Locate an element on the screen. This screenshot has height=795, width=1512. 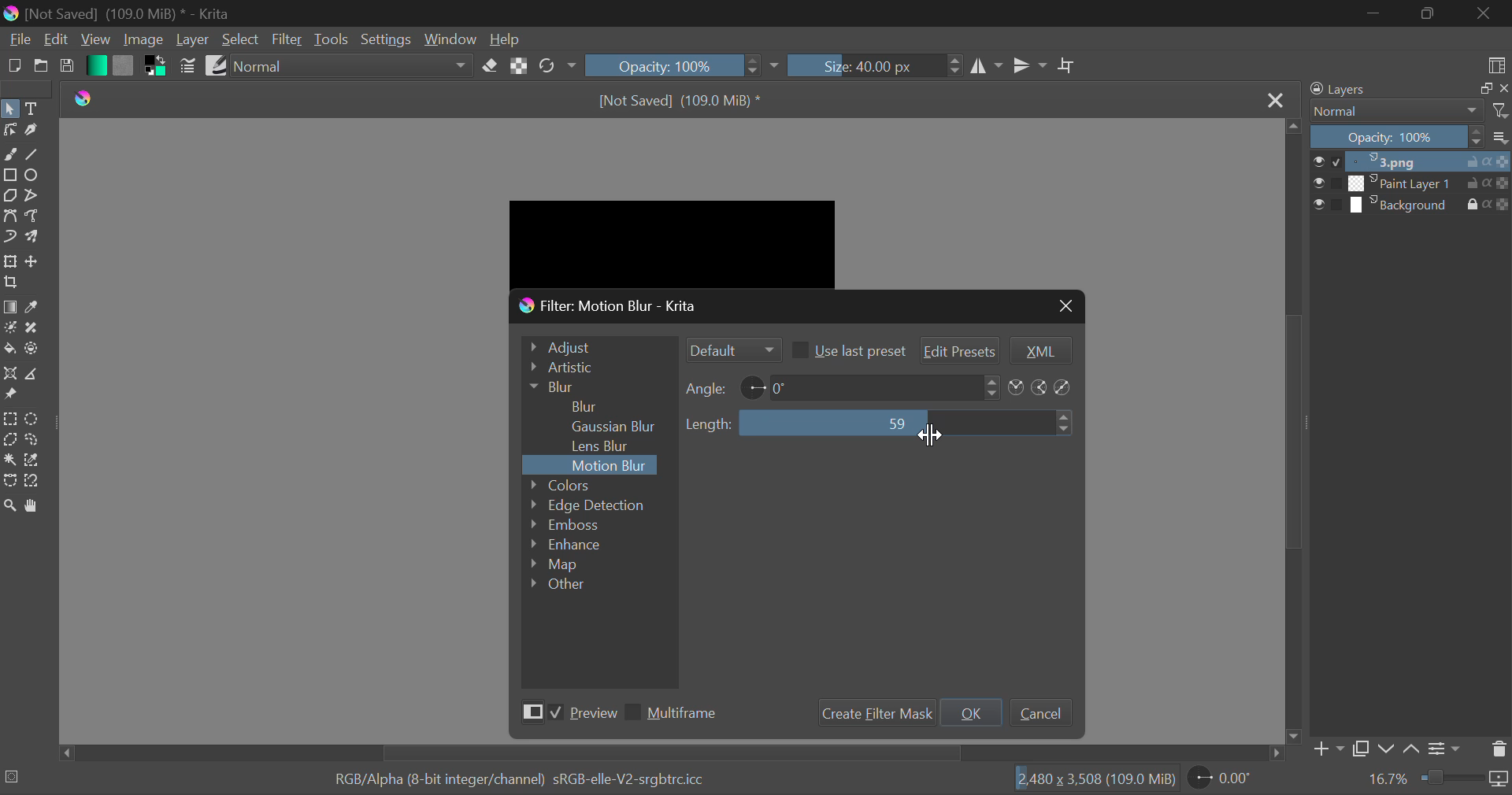
Eraser is located at coordinates (491, 65).